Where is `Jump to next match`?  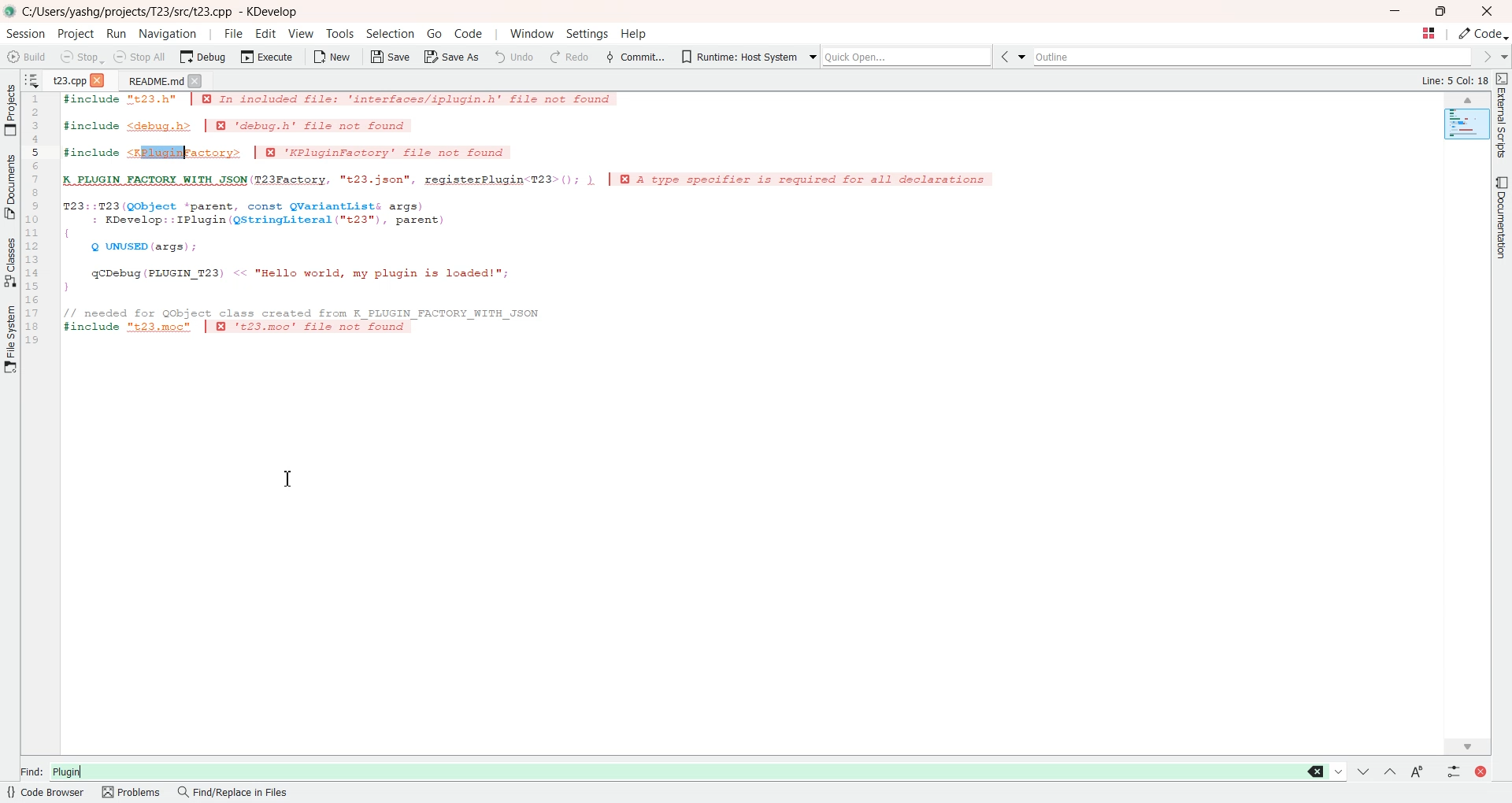
Jump to next match is located at coordinates (1364, 770).